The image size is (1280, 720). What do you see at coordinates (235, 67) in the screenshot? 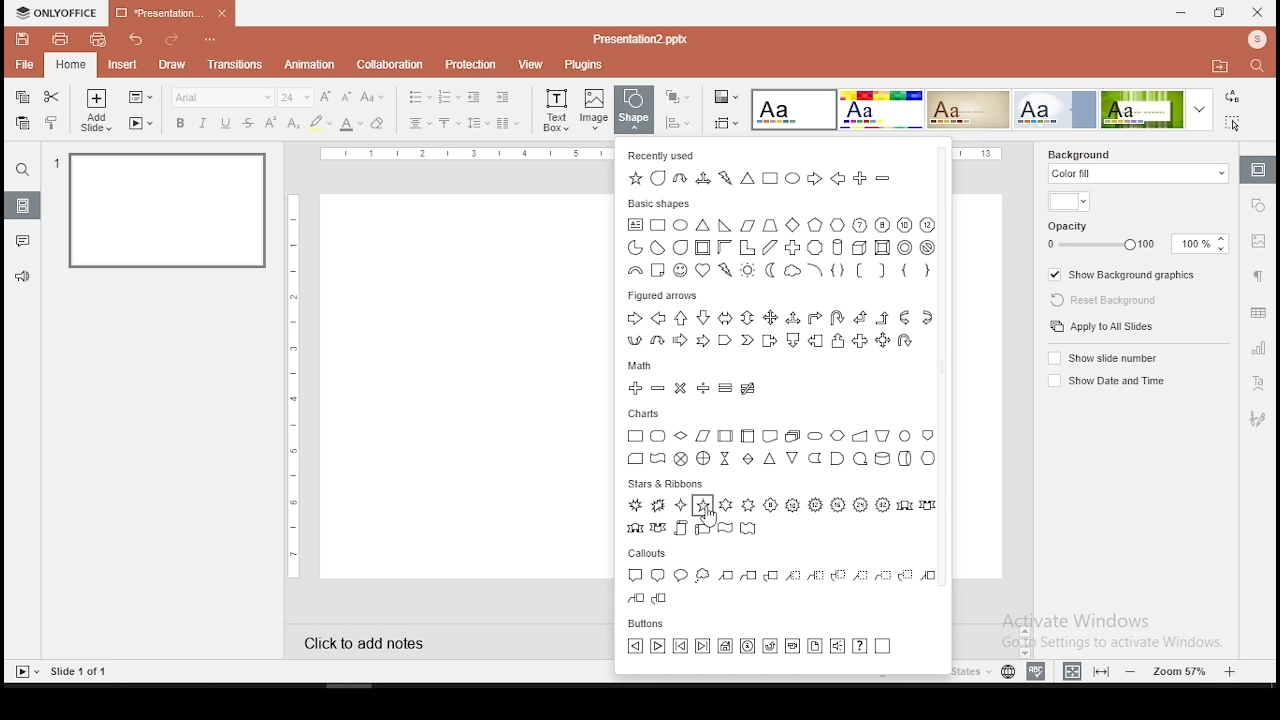
I see `transitions` at bounding box center [235, 67].